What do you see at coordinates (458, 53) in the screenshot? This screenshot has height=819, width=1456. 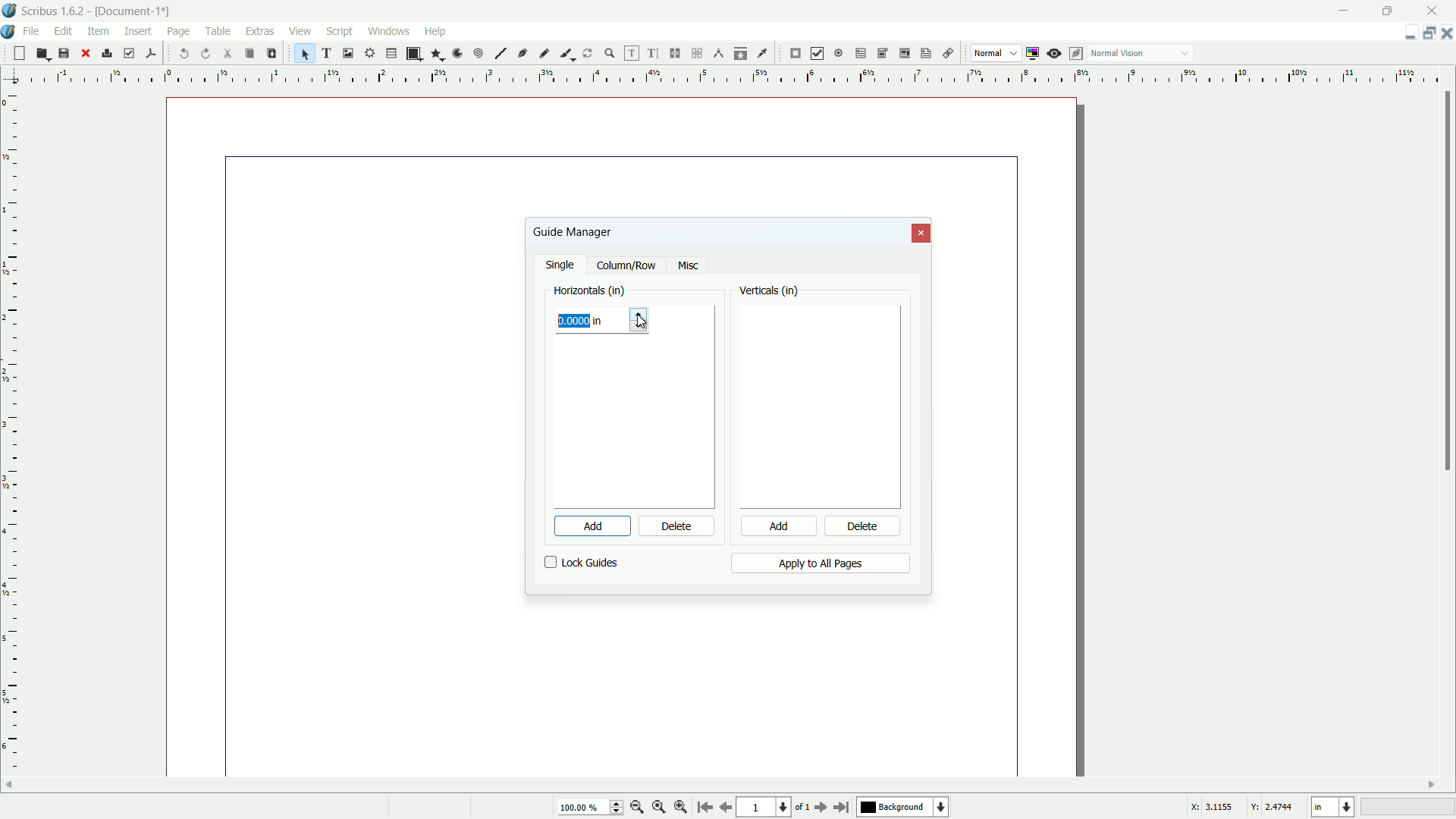 I see `arc` at bounding box center [458, 53].